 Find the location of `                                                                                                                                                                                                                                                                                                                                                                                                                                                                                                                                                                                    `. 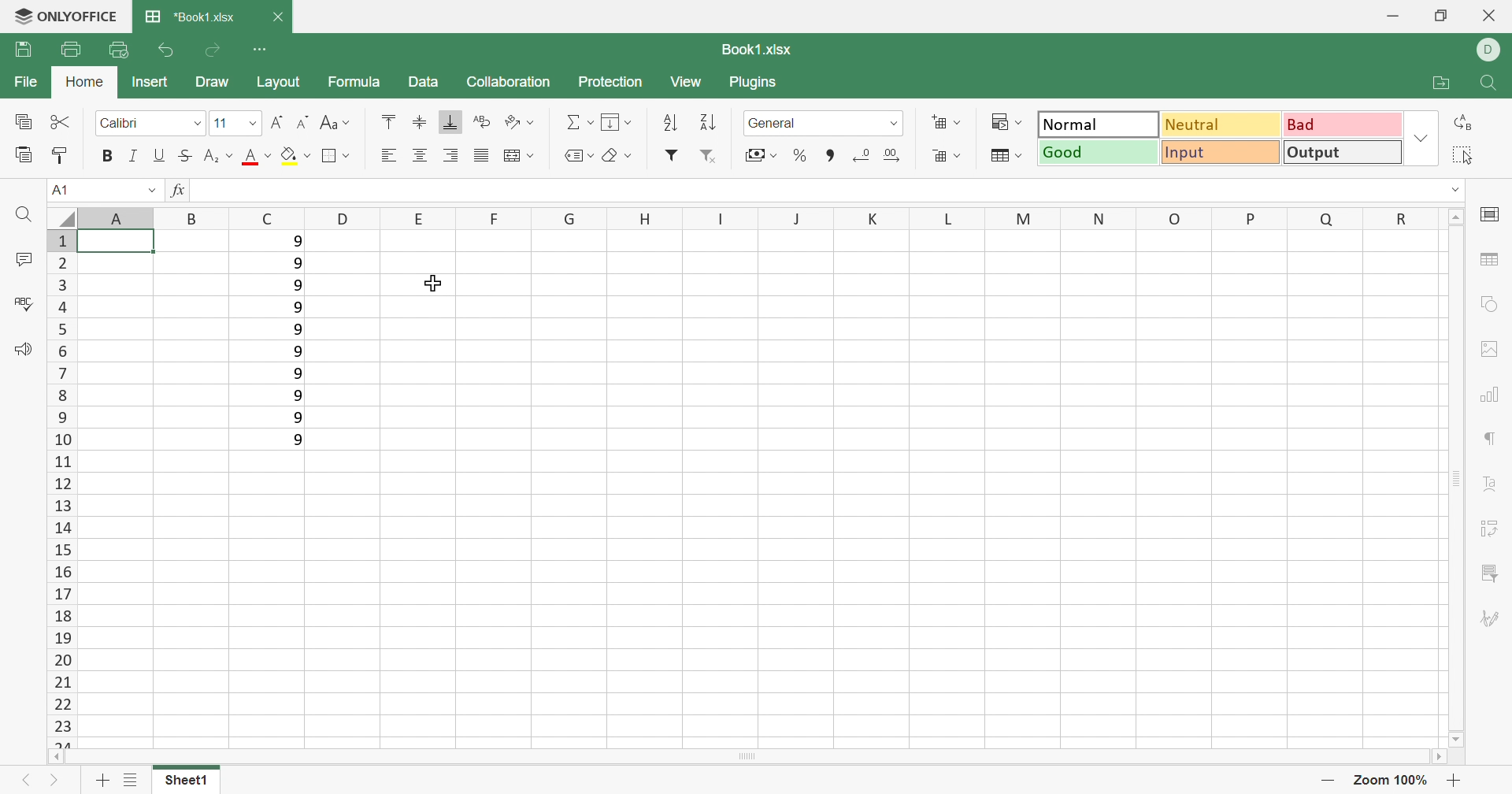

                                                                                                                                                                                                                                                                                                                                                                                                                                                                                                                                                                                     is located at coordinates (615, 155).